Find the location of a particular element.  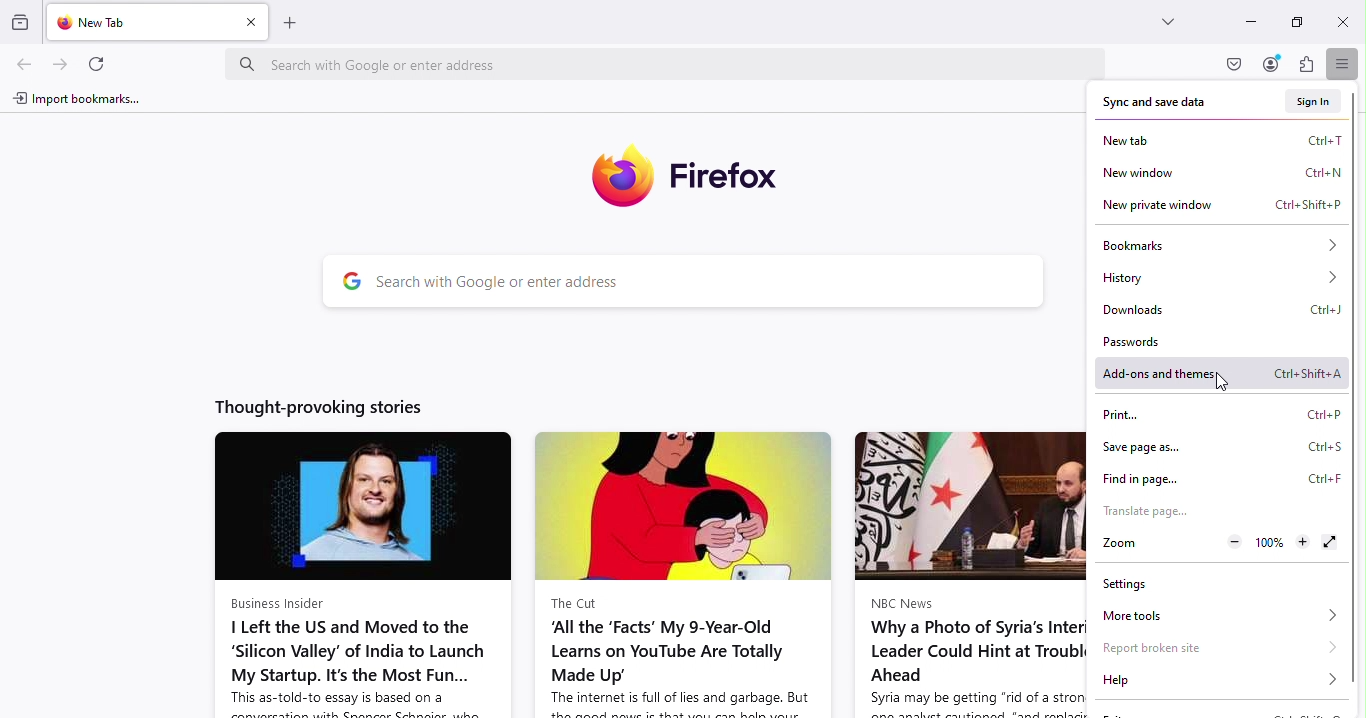

Display the window in full screen is located at coordinates (1334, 545).